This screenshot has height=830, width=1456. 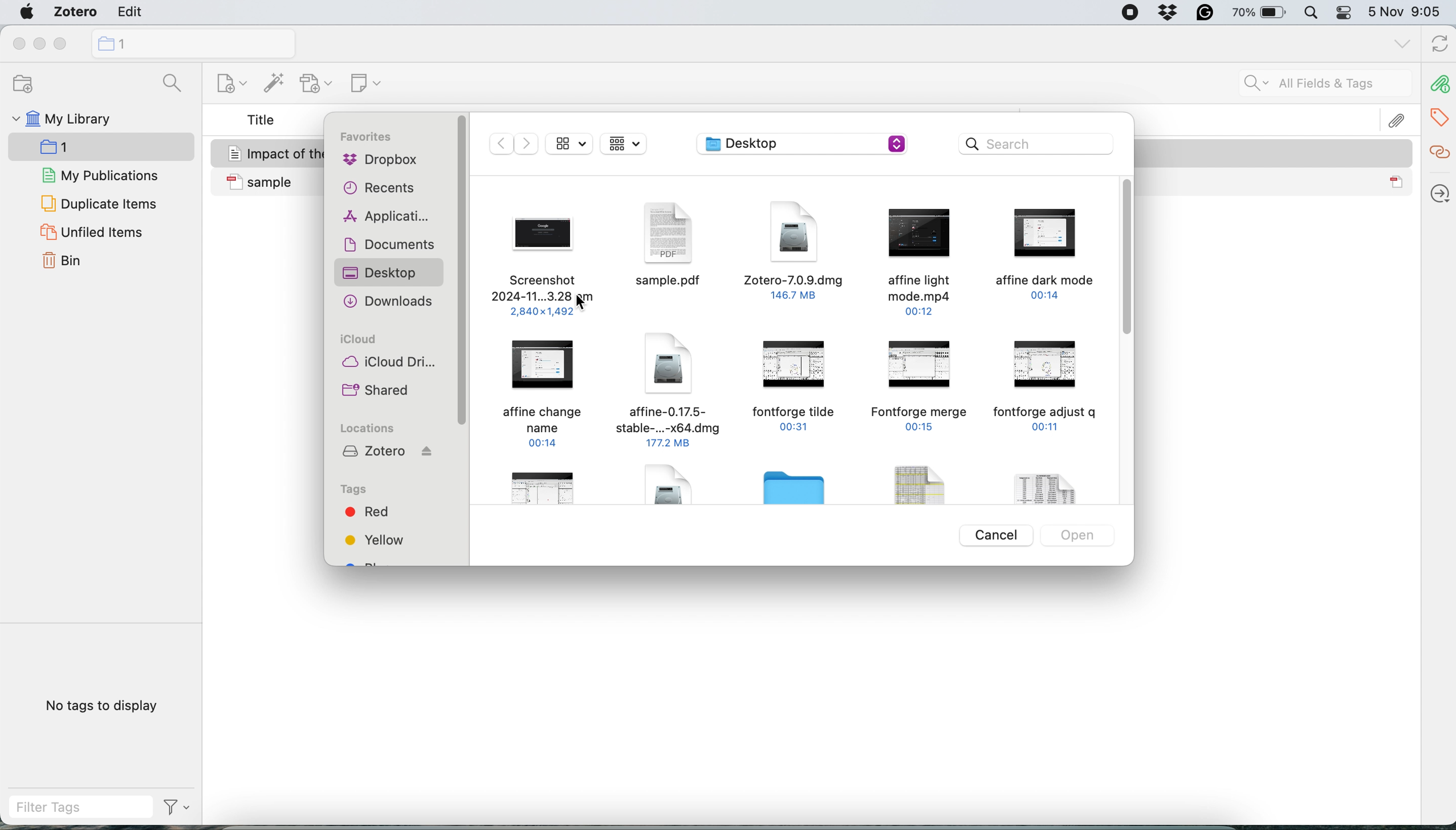 I want to click on zotero, so click(x=71, y=14).